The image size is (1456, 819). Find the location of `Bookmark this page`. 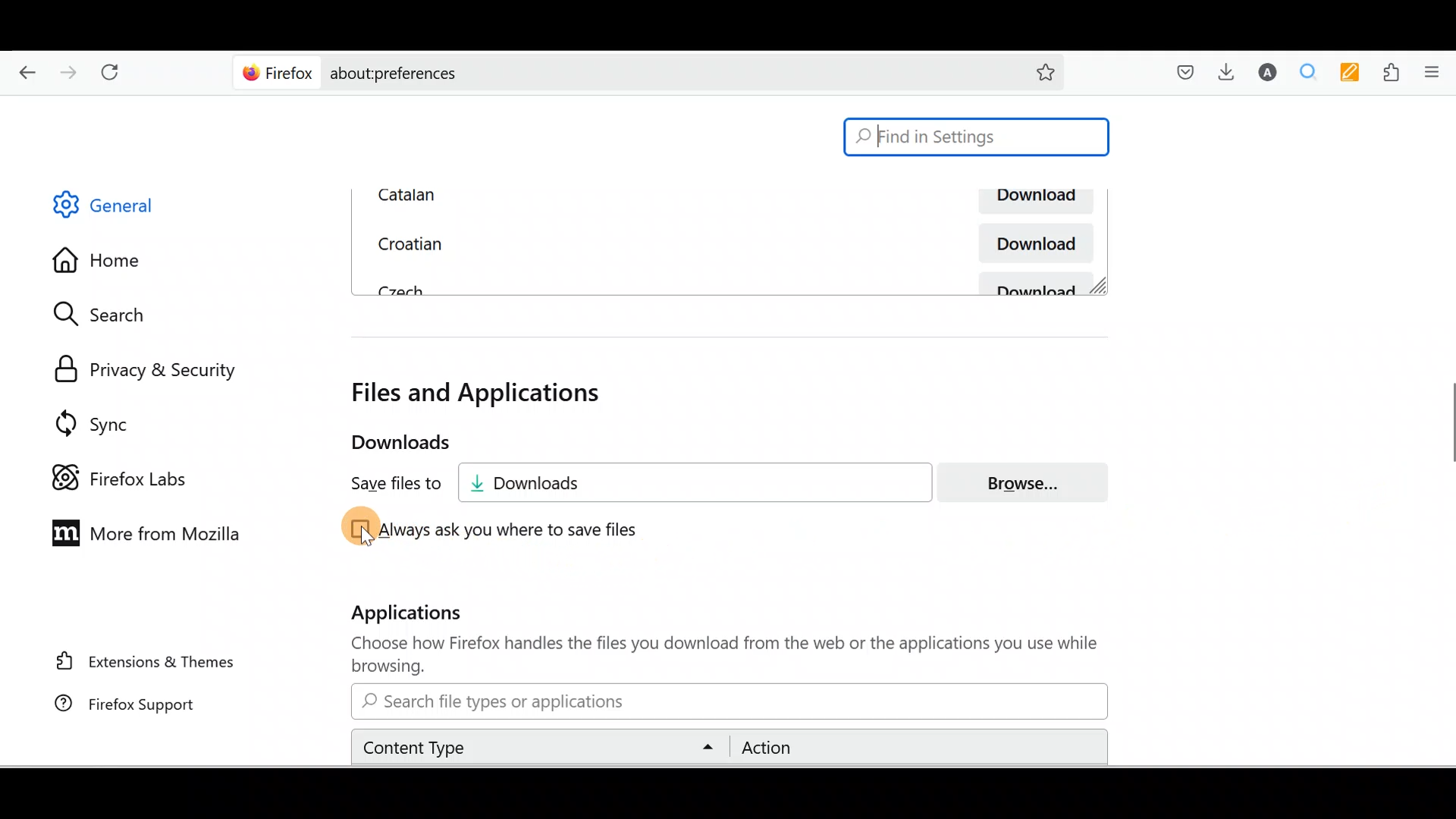

Bookmark this page is located at coordinates (1046, 71).